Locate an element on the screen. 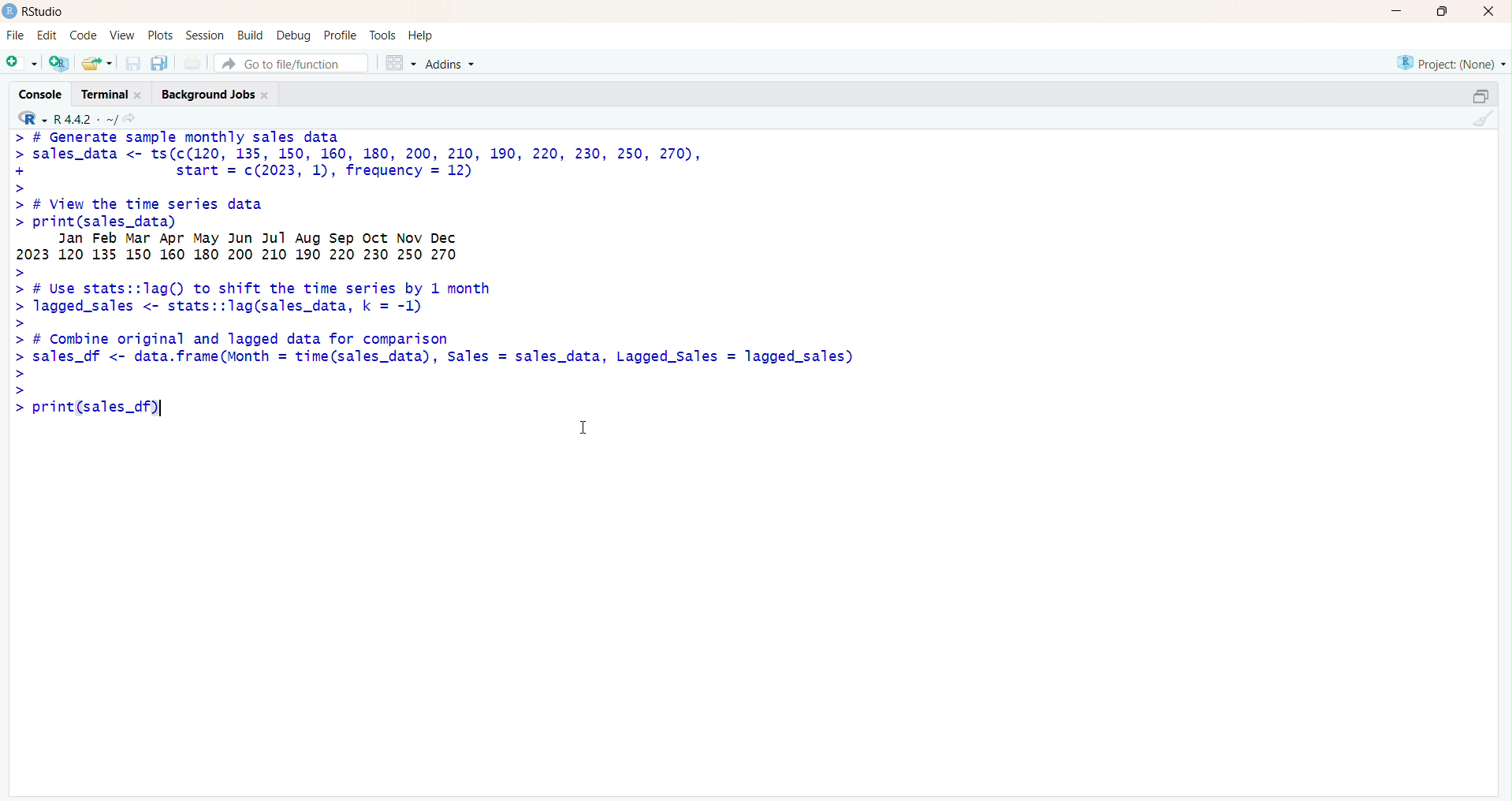  file is located at coordinates (13, 35).